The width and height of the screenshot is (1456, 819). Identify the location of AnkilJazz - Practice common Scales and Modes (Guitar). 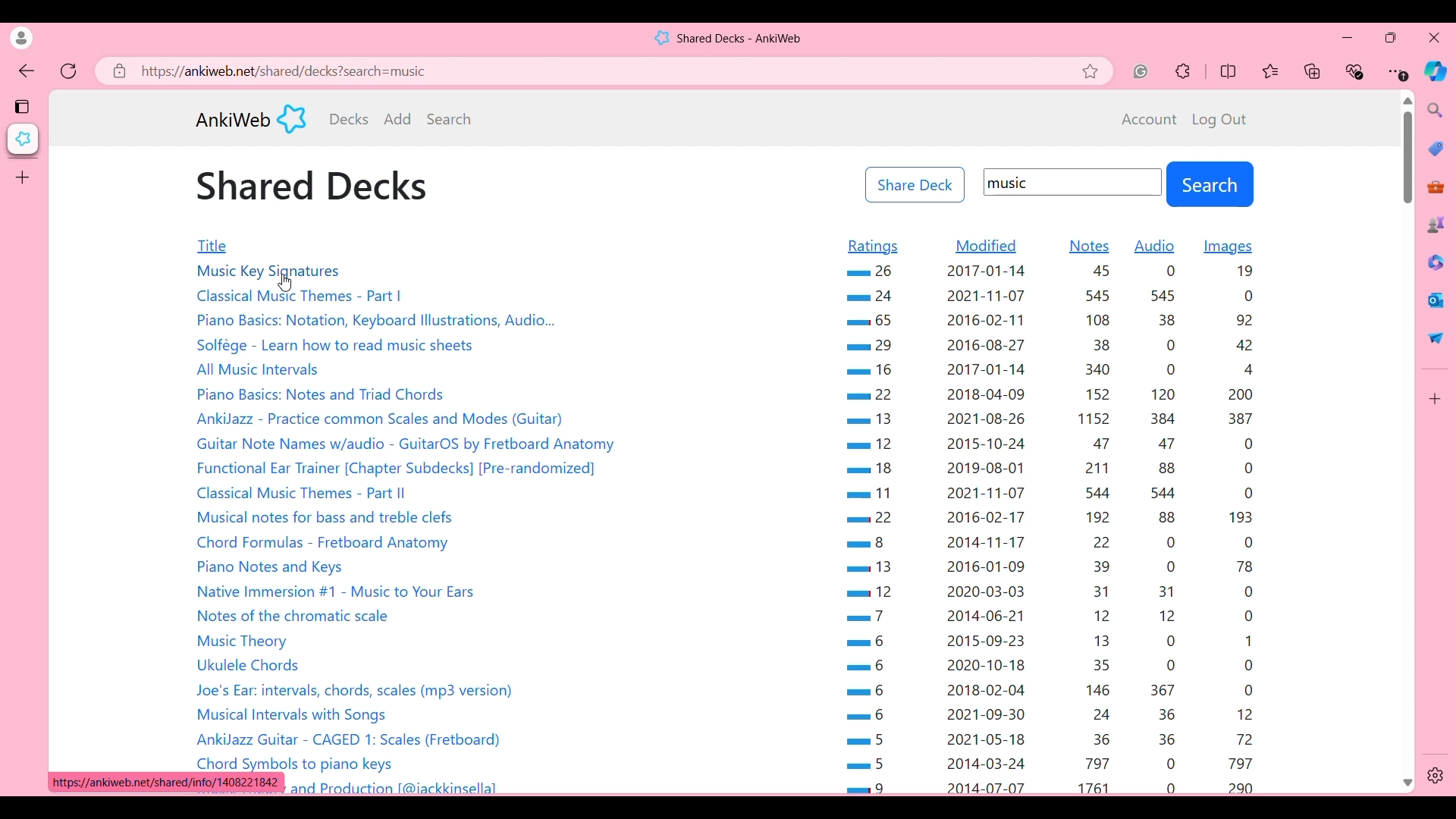
(385, 419).